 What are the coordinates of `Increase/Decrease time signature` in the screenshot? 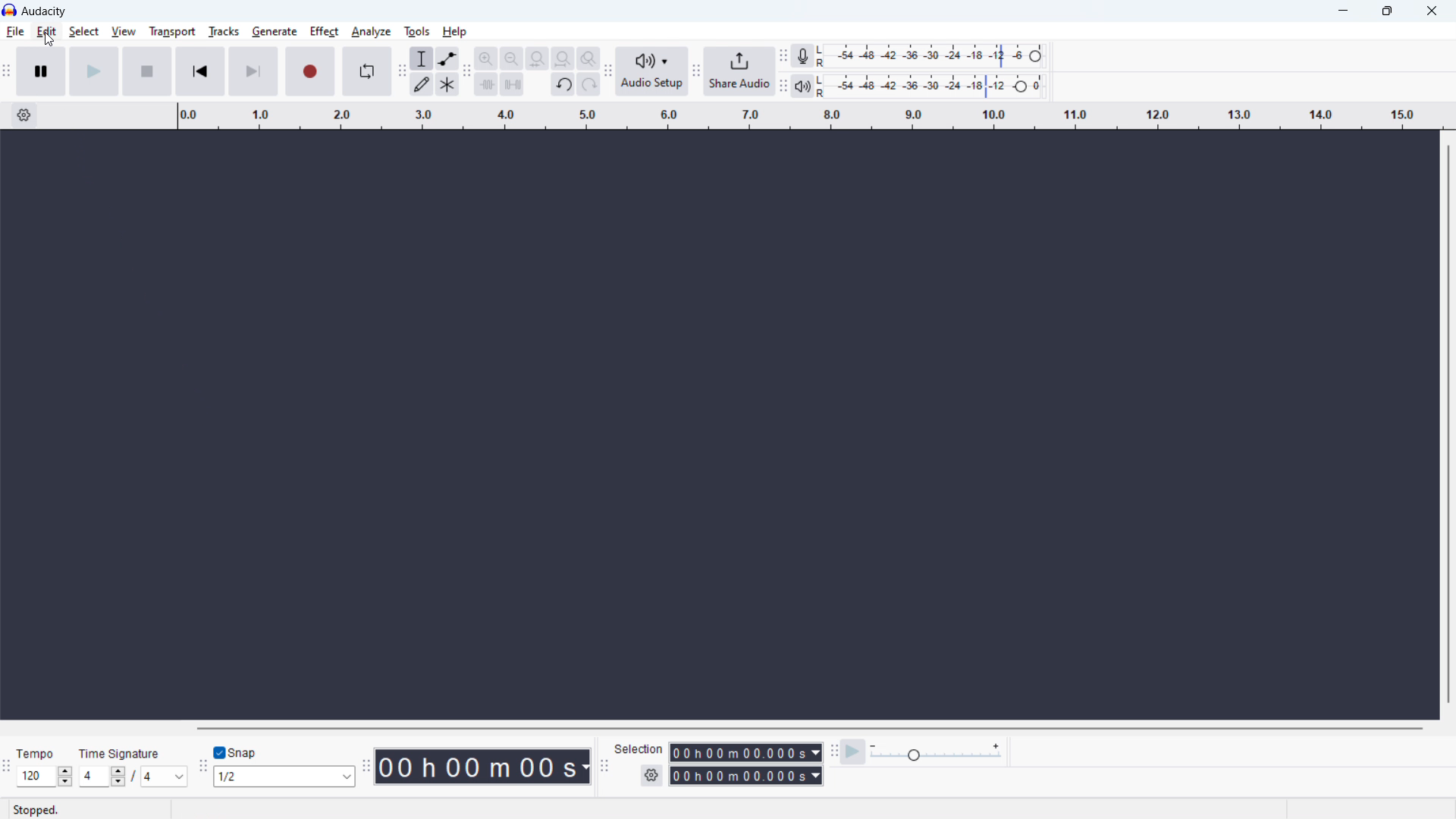 It's located at (118, 777).